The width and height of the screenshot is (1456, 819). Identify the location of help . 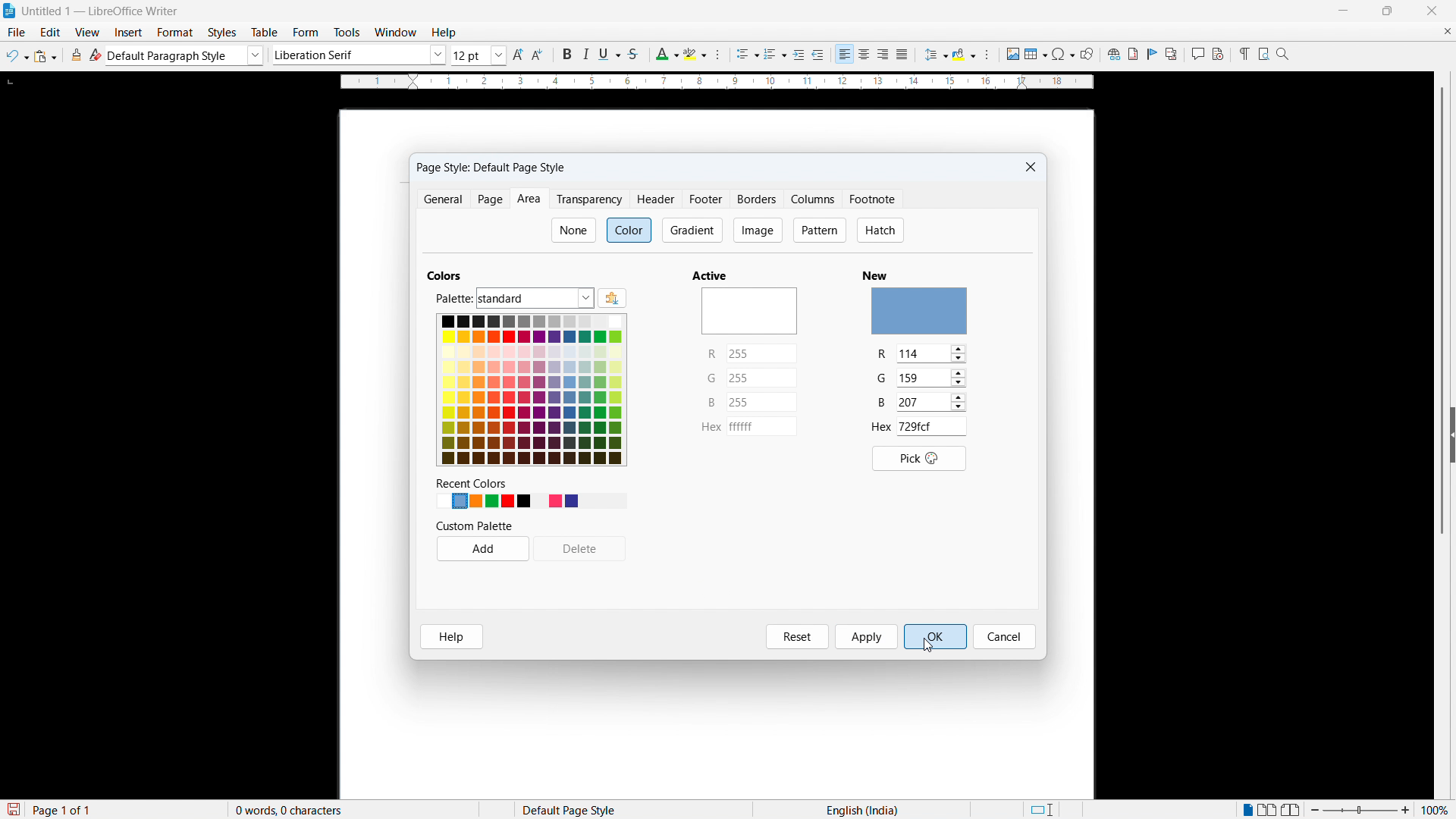
(444, 33).